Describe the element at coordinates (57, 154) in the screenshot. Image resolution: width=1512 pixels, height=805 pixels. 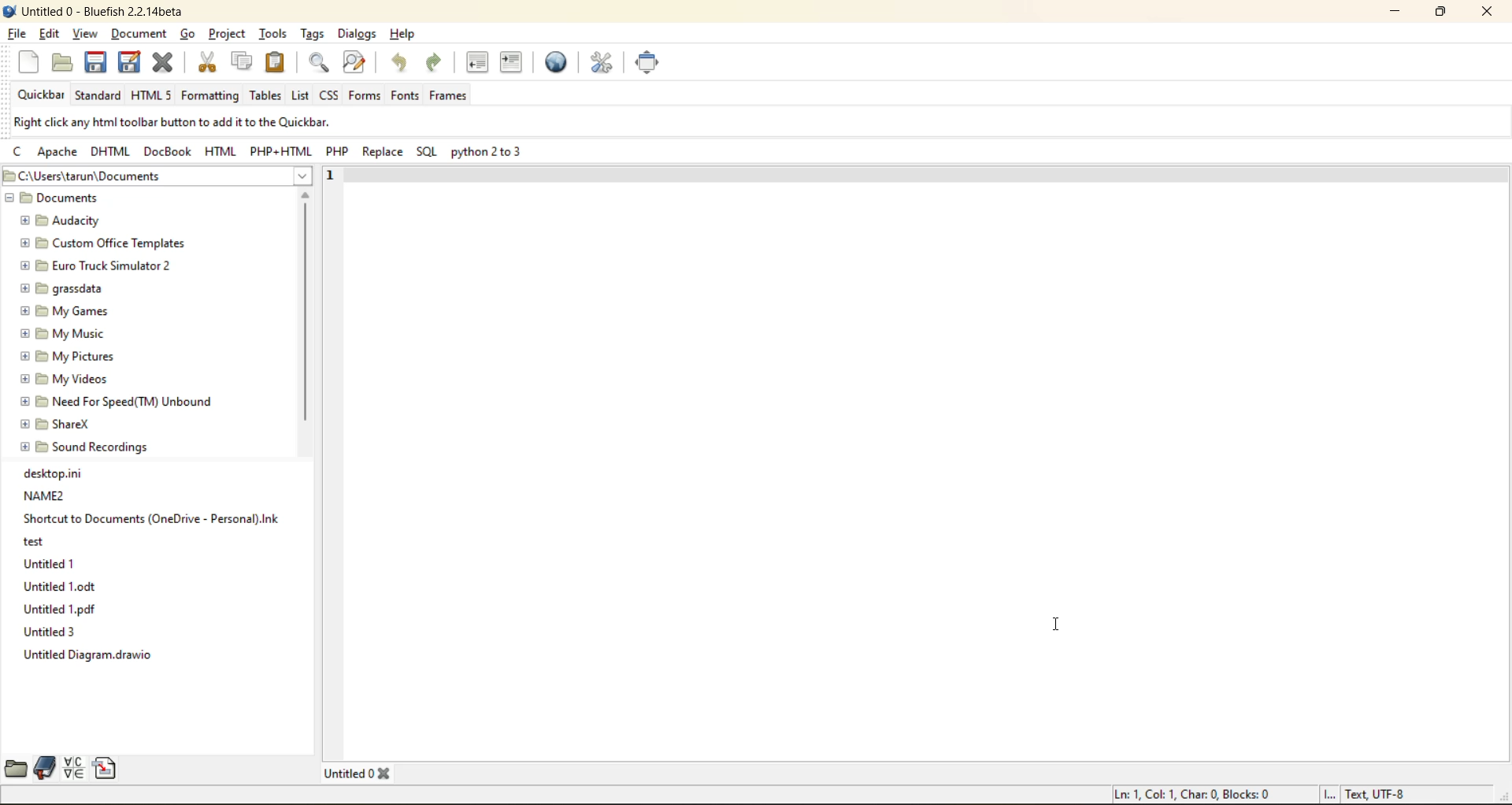
I see `apache` at that location.